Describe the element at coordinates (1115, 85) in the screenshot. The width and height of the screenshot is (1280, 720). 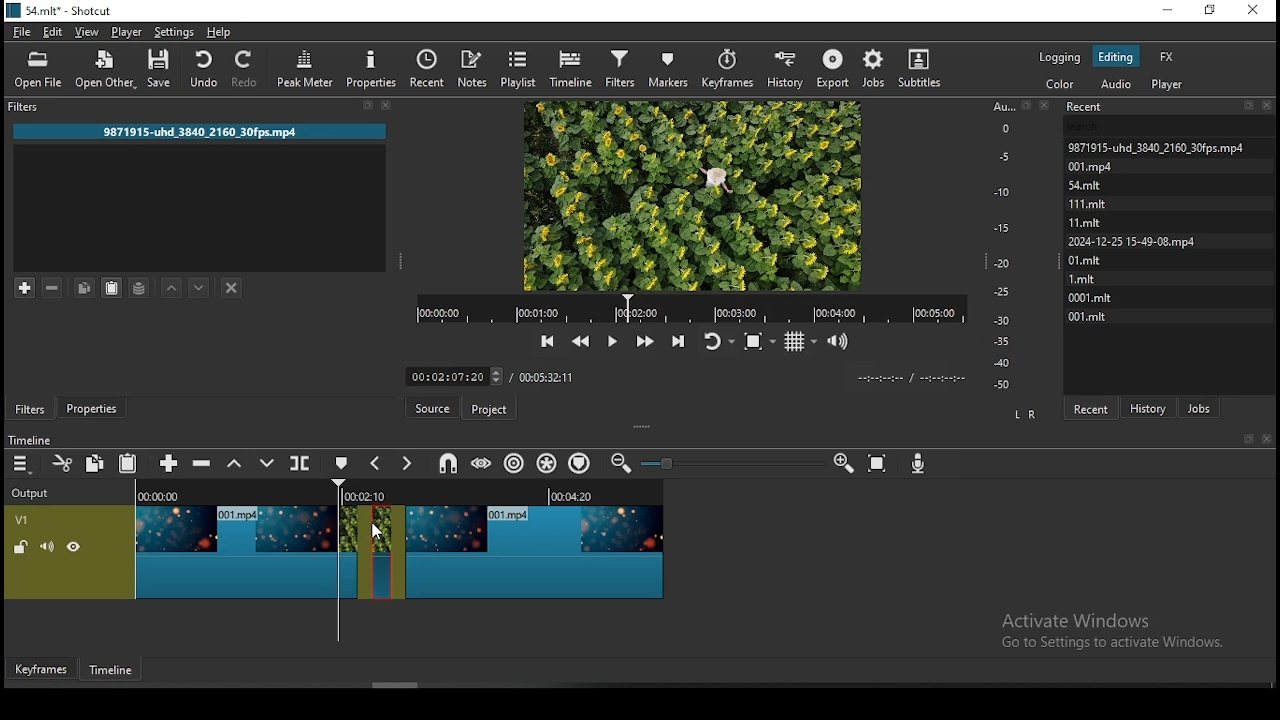
I see `audio` at that location.